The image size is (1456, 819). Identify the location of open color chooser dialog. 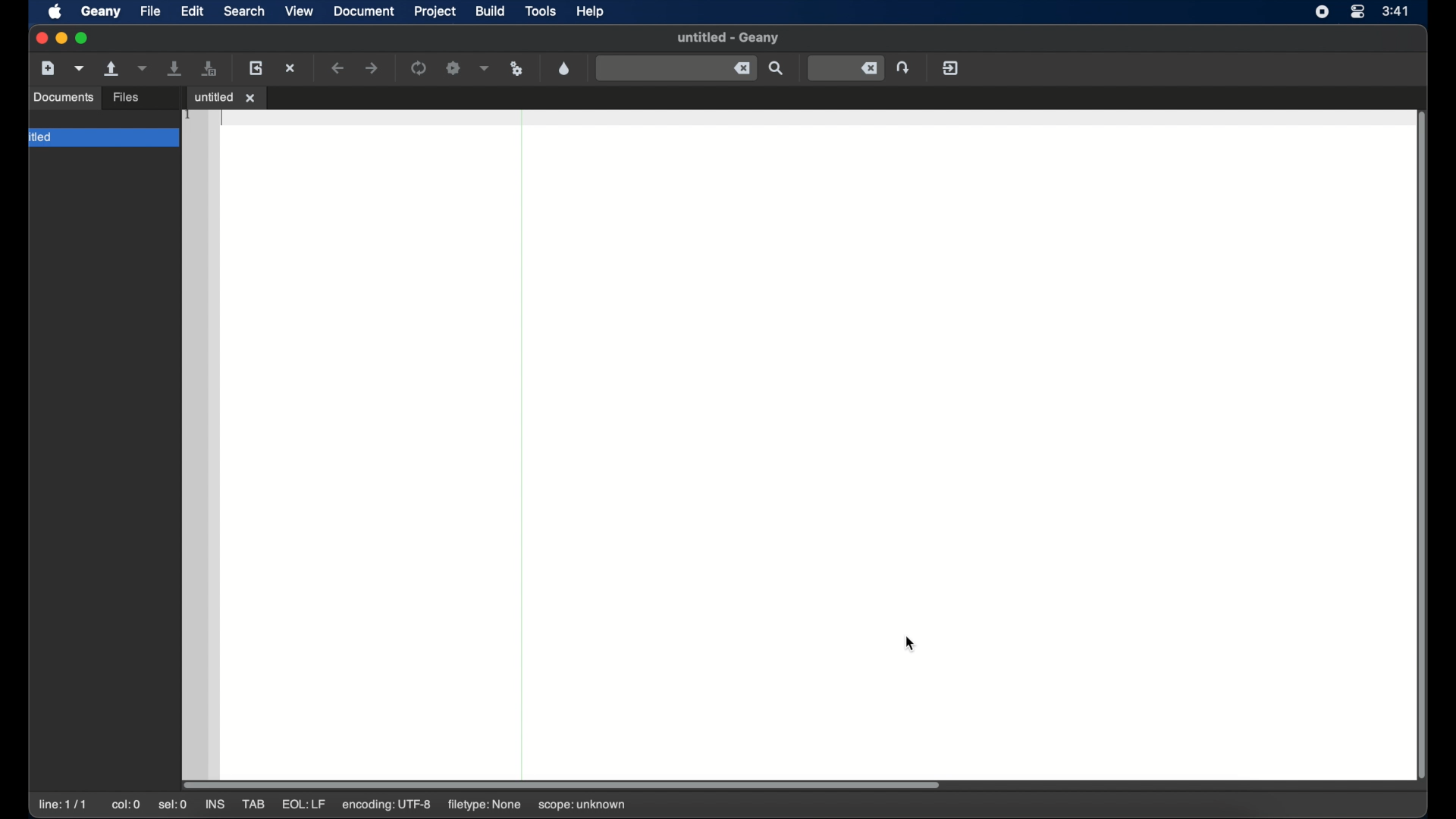
(564, 69).